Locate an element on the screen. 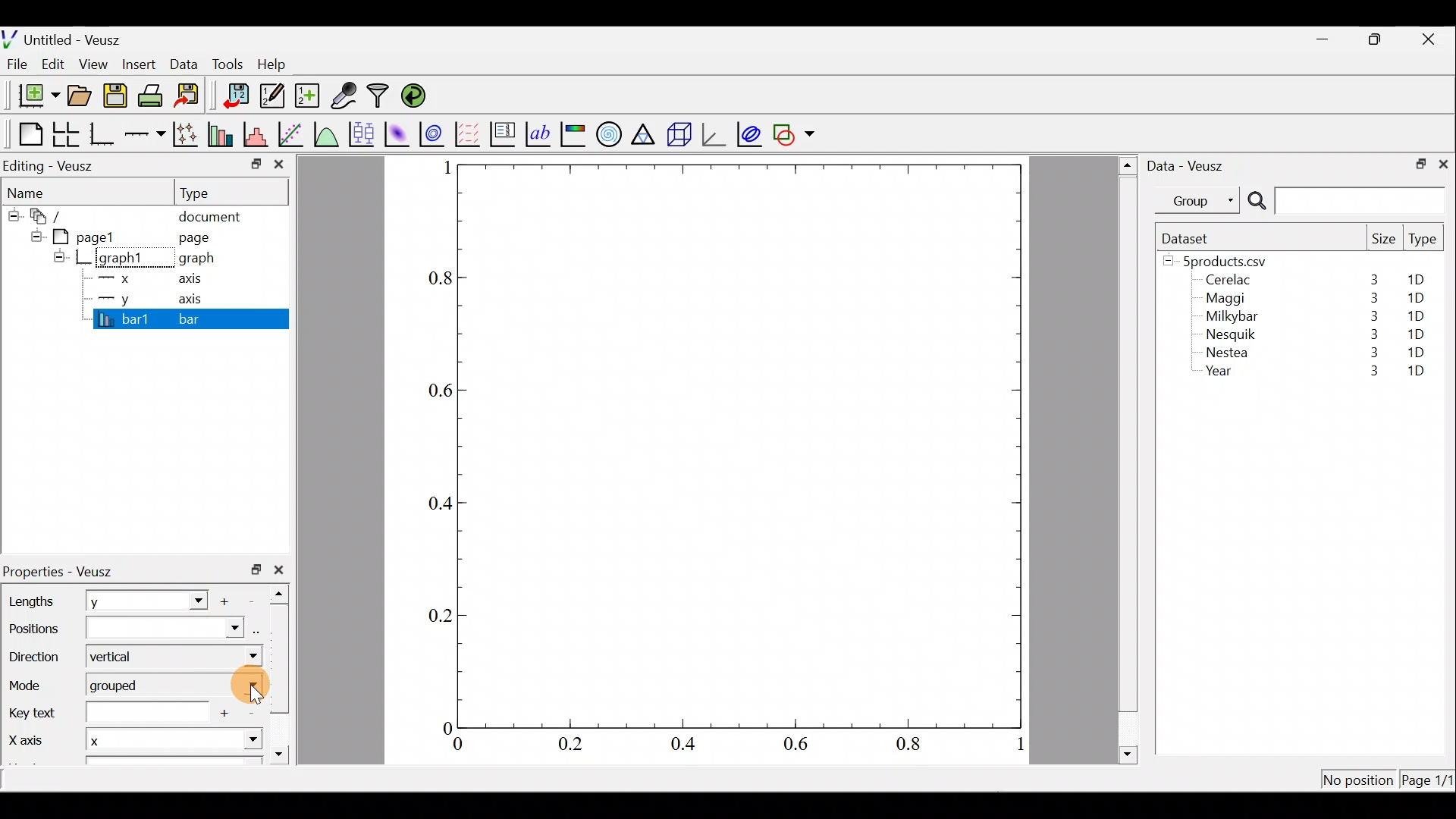 The height and width of the screenshot is (819, 1456). Add an axis to the plot is located at coordinates (148, 134).